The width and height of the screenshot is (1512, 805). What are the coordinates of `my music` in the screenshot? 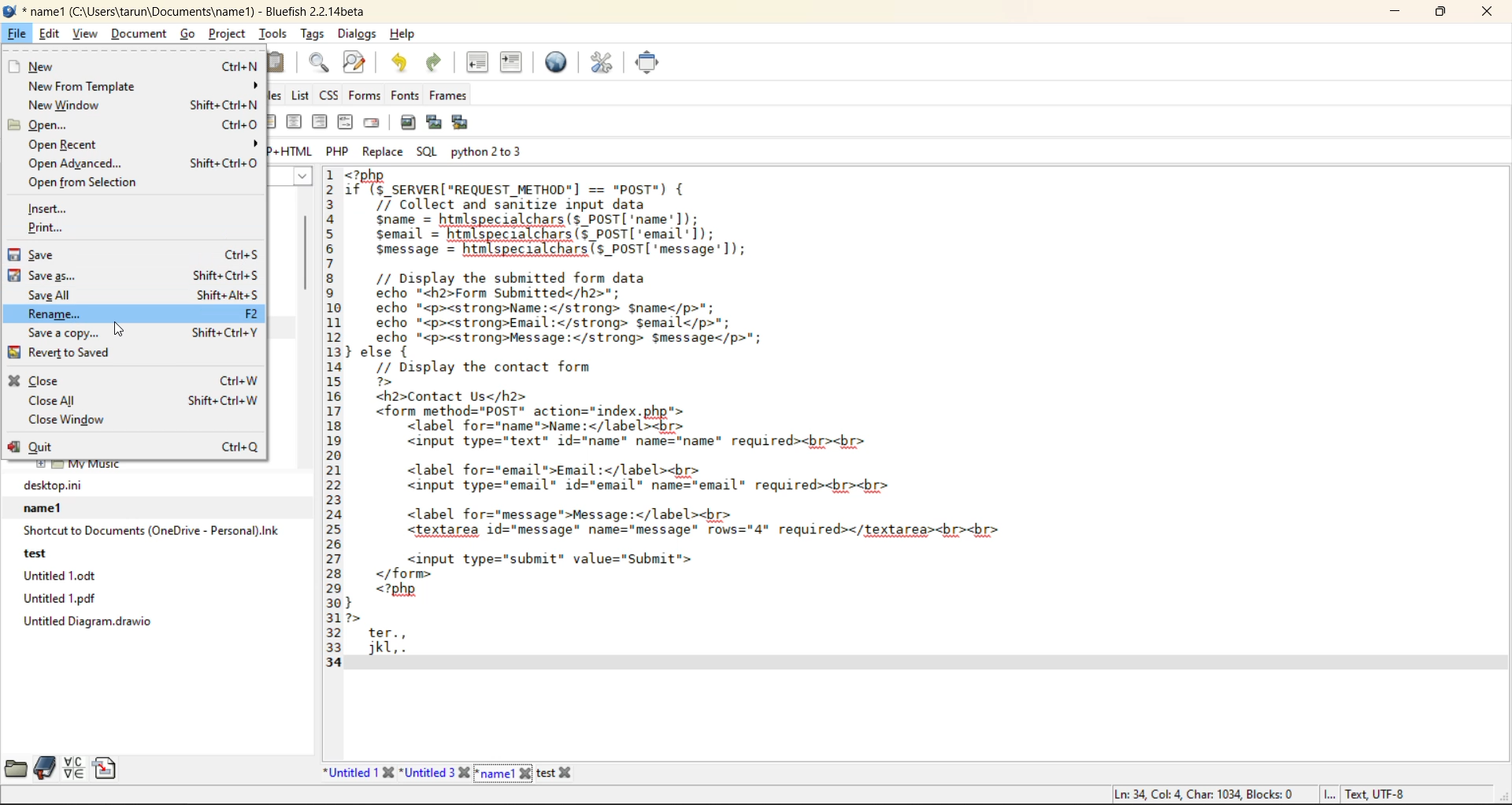 It's located at (80, 468).